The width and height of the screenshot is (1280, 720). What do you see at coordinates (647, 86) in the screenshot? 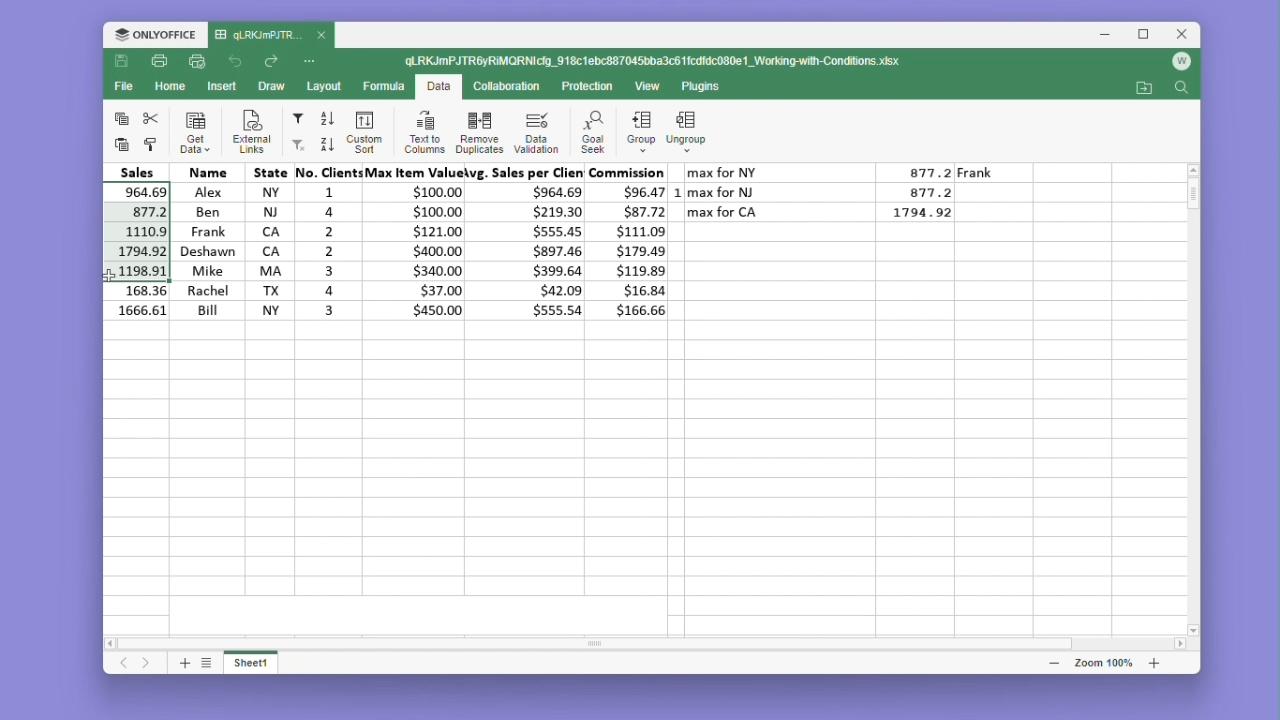
I see `` at bounding box center [647, 86].